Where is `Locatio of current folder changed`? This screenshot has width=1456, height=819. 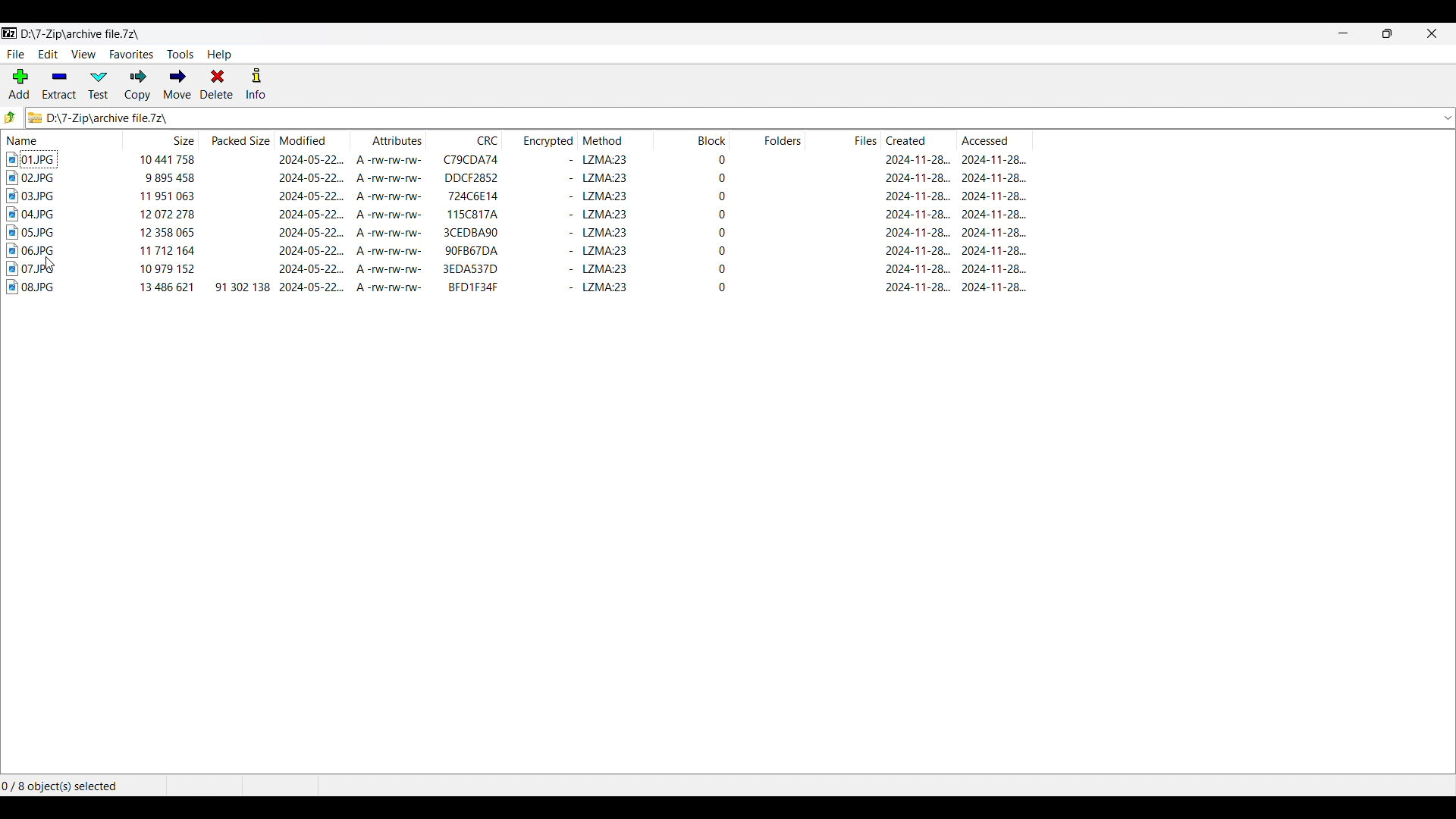 Locatio of current folder changed is located at coordinates (81, 33).